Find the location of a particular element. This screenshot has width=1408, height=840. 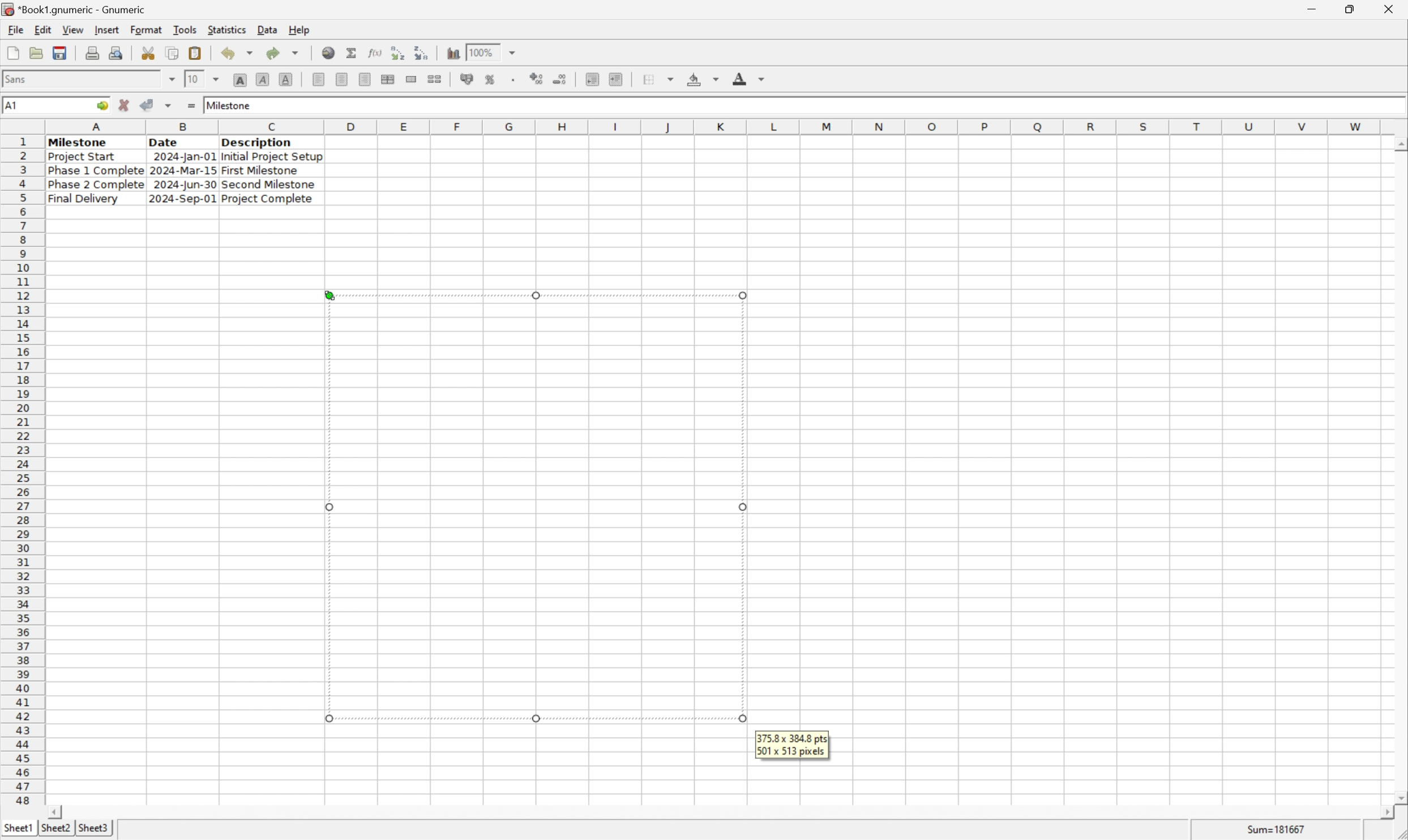

Application name is located at coordinates (75, 10).